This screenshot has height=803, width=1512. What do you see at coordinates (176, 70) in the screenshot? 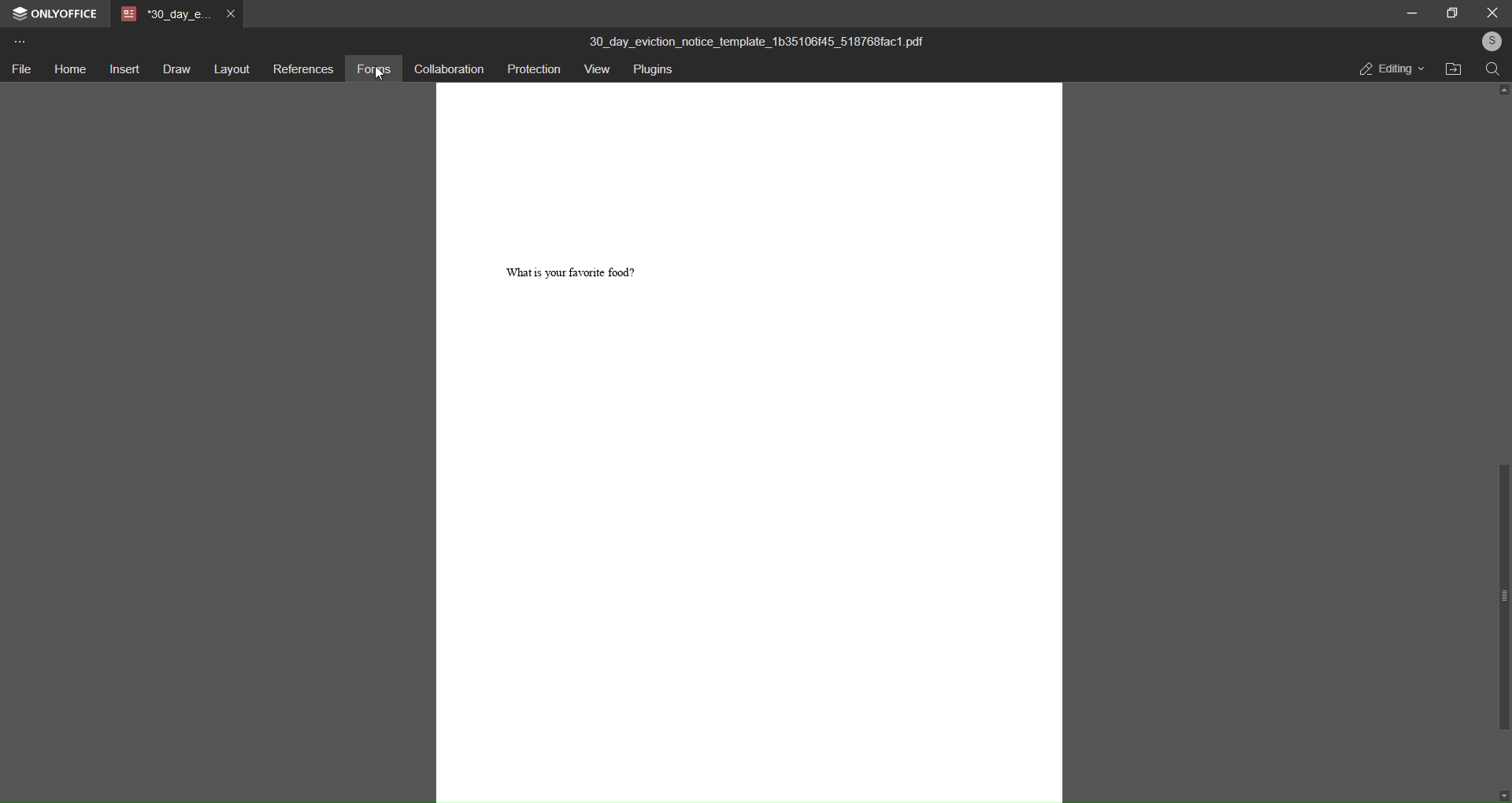
I see `draw` at bounding box center [176, 70].